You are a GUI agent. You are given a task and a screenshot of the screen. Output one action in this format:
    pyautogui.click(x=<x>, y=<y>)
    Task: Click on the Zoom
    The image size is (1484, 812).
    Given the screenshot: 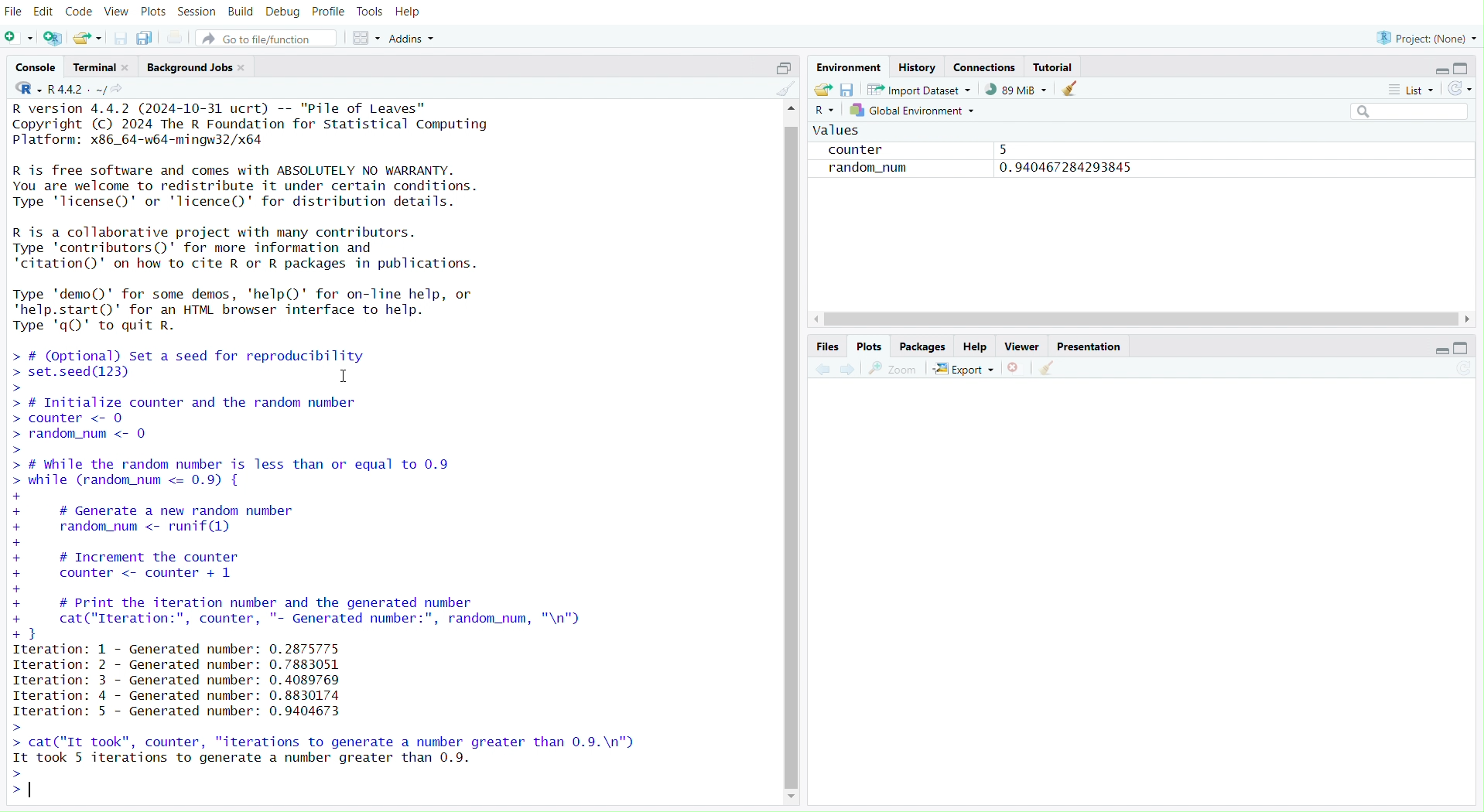 What is the action you would take?
    pyautogui.click(x=898, y=367)
    